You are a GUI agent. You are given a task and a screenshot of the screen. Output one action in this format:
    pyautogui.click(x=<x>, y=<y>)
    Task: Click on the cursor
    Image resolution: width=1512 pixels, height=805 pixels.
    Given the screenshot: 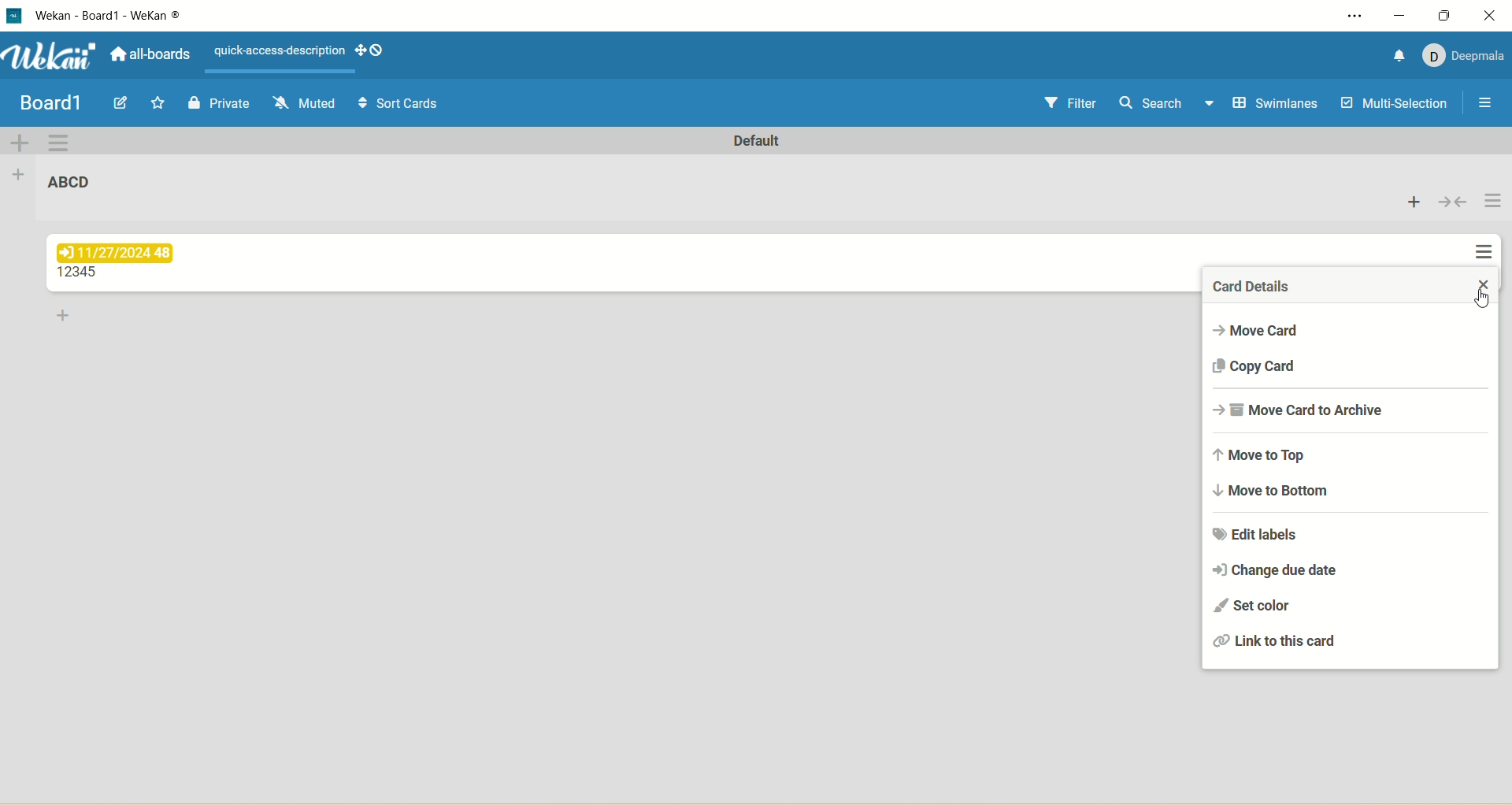 What is the action you would take?
    pyautogui.click(x=1486, y=301)
    